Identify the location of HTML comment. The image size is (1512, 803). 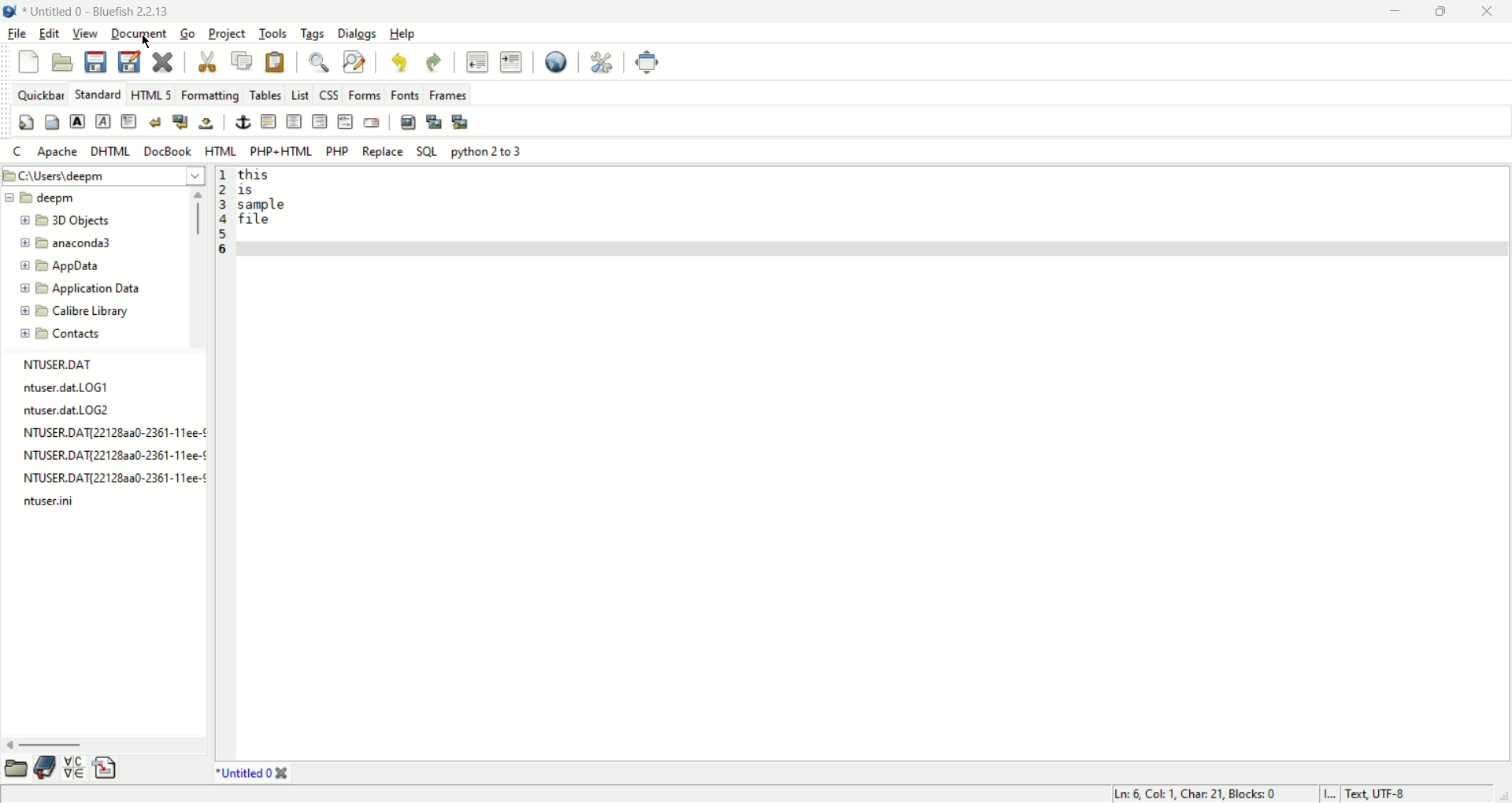
(346, 123).